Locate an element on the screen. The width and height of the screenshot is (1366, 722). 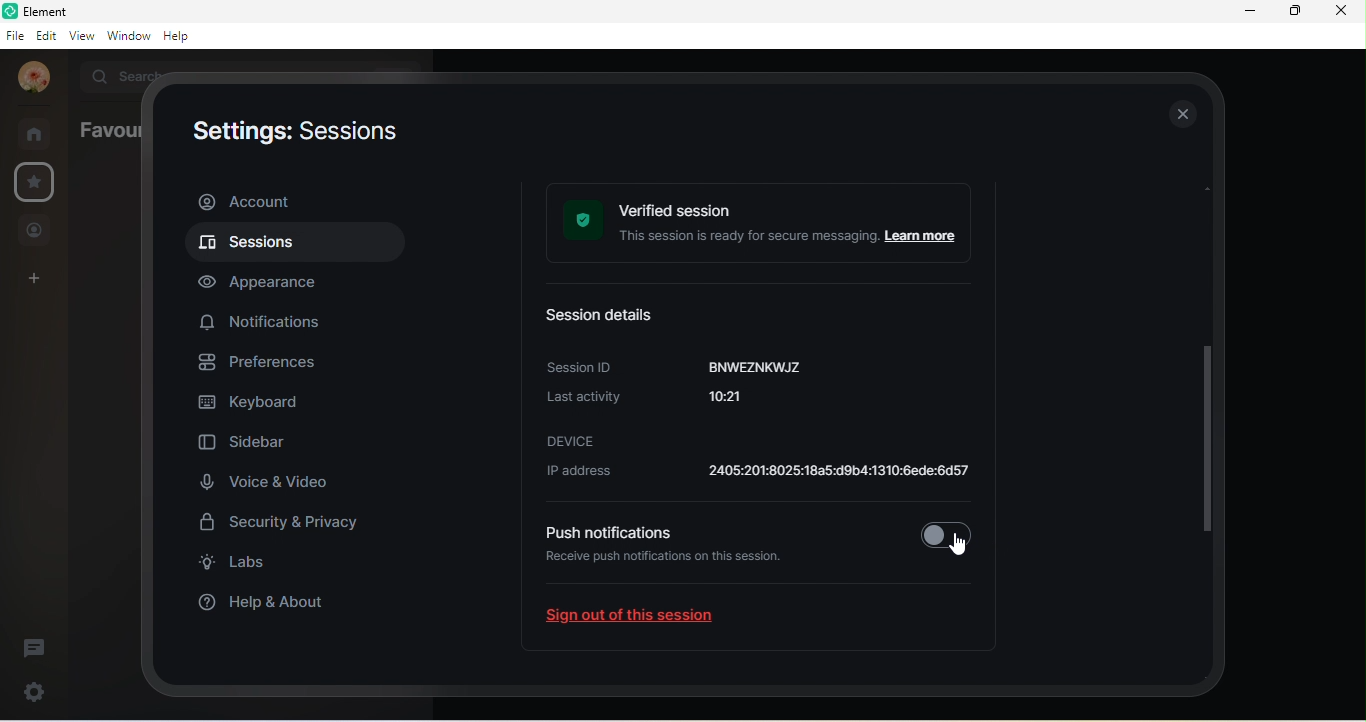
help and about is located at coordinates (273, 601).